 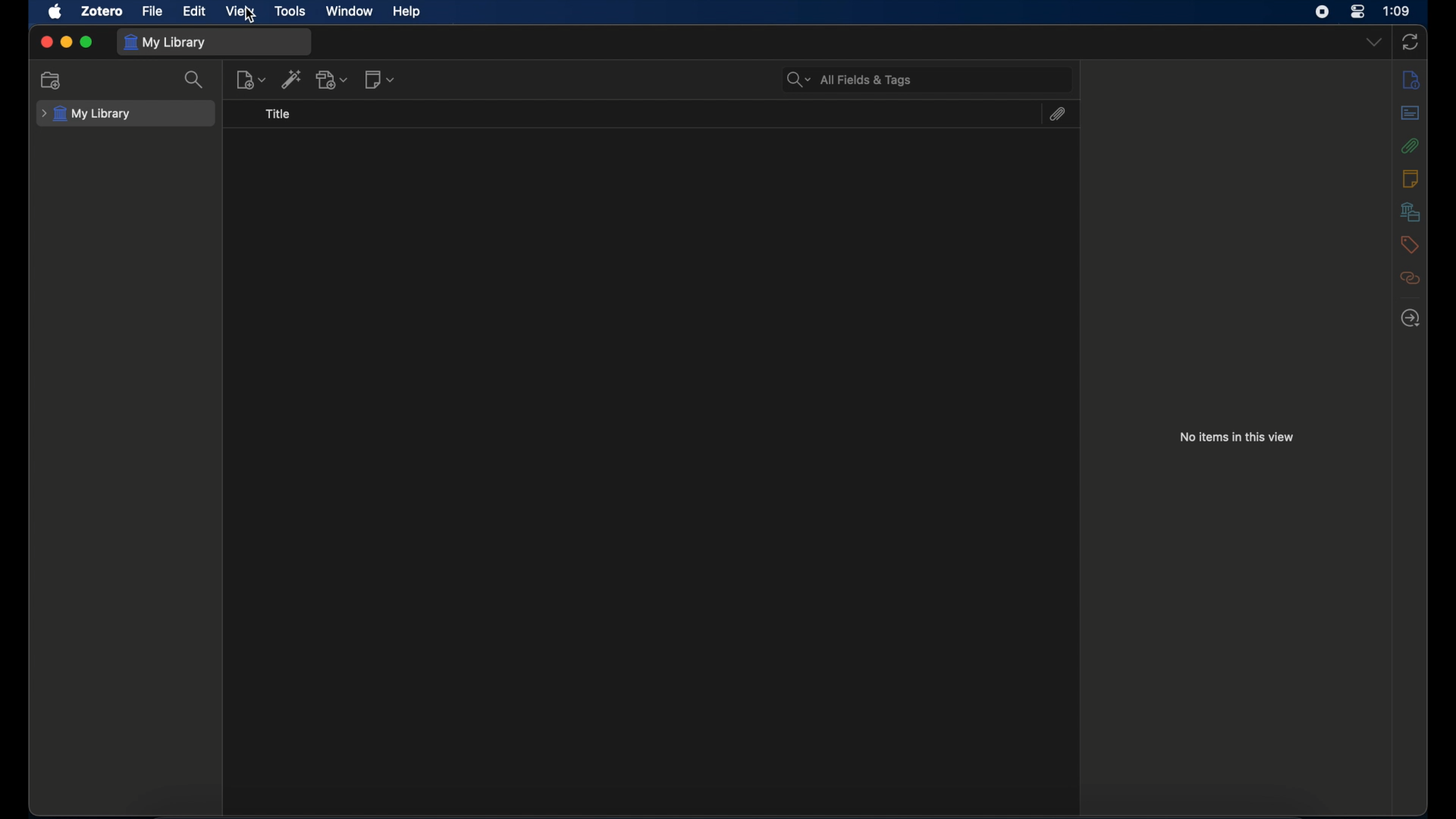 What do you see at coordinates (168, 42) in the screenshot?
I see `my library` at bounding box center [168, 42].